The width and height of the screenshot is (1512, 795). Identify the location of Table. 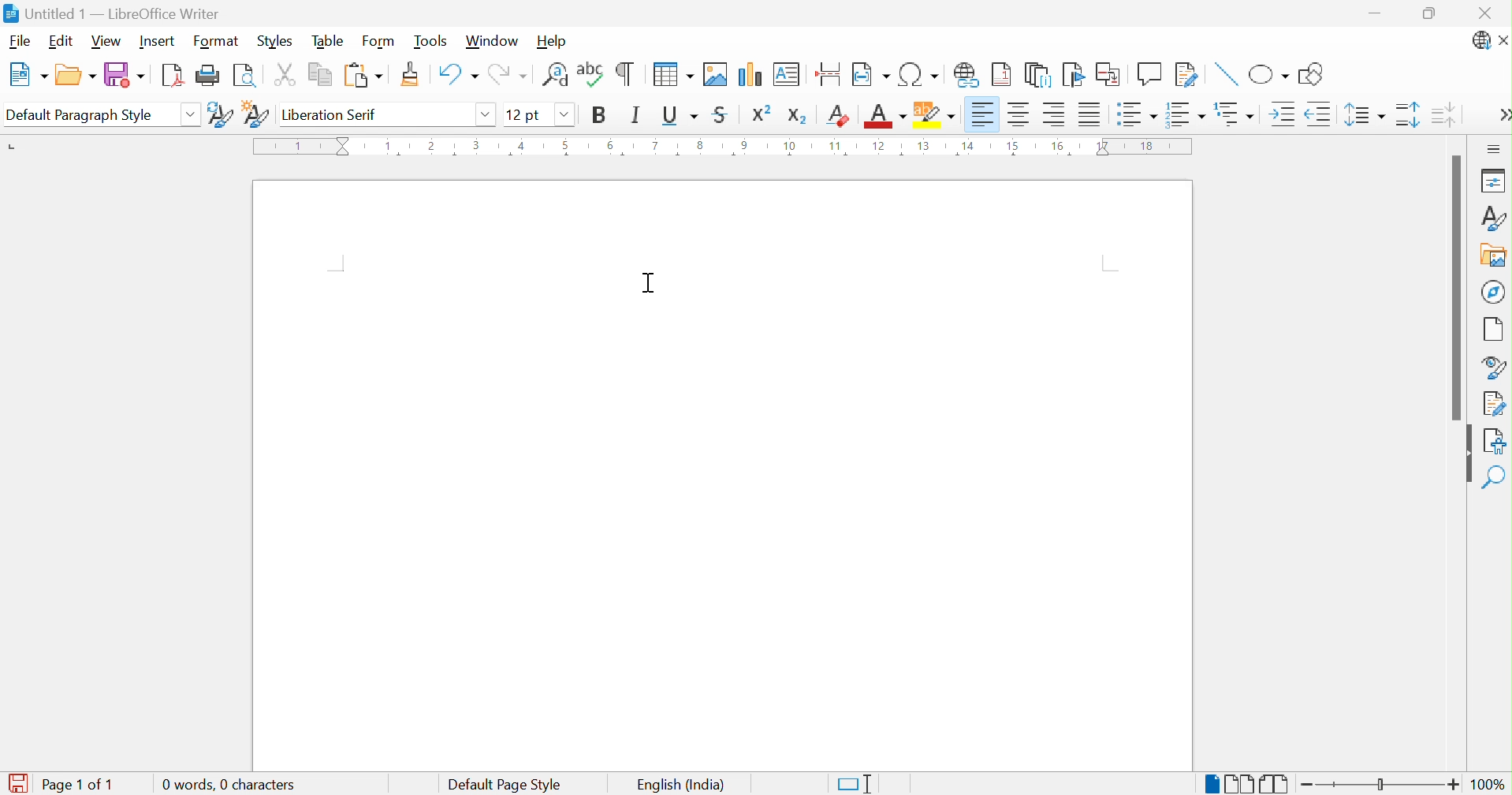
(326, 40).